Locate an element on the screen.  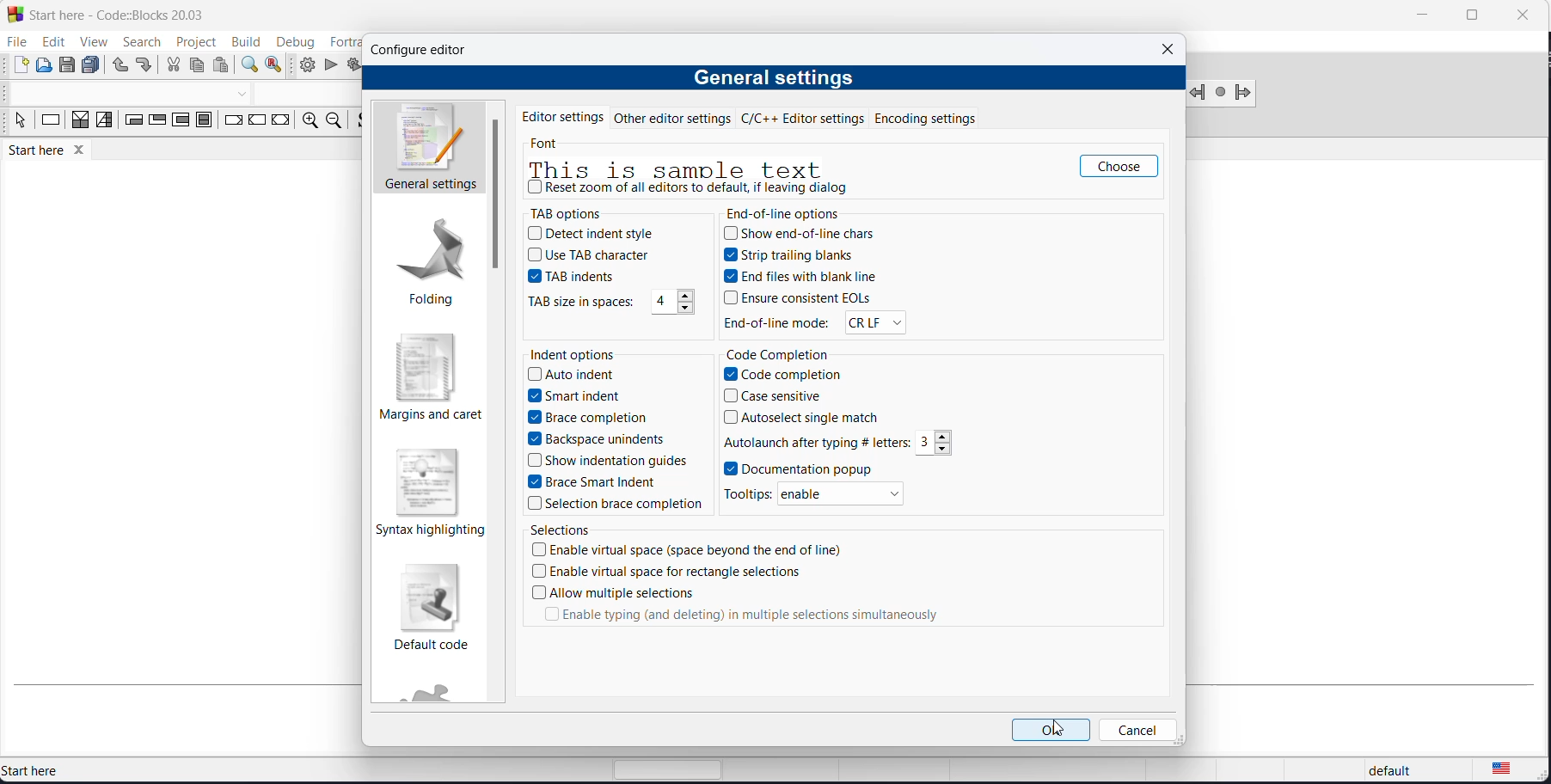
enable virtual space checkbox is located at coordinates (694, 553).